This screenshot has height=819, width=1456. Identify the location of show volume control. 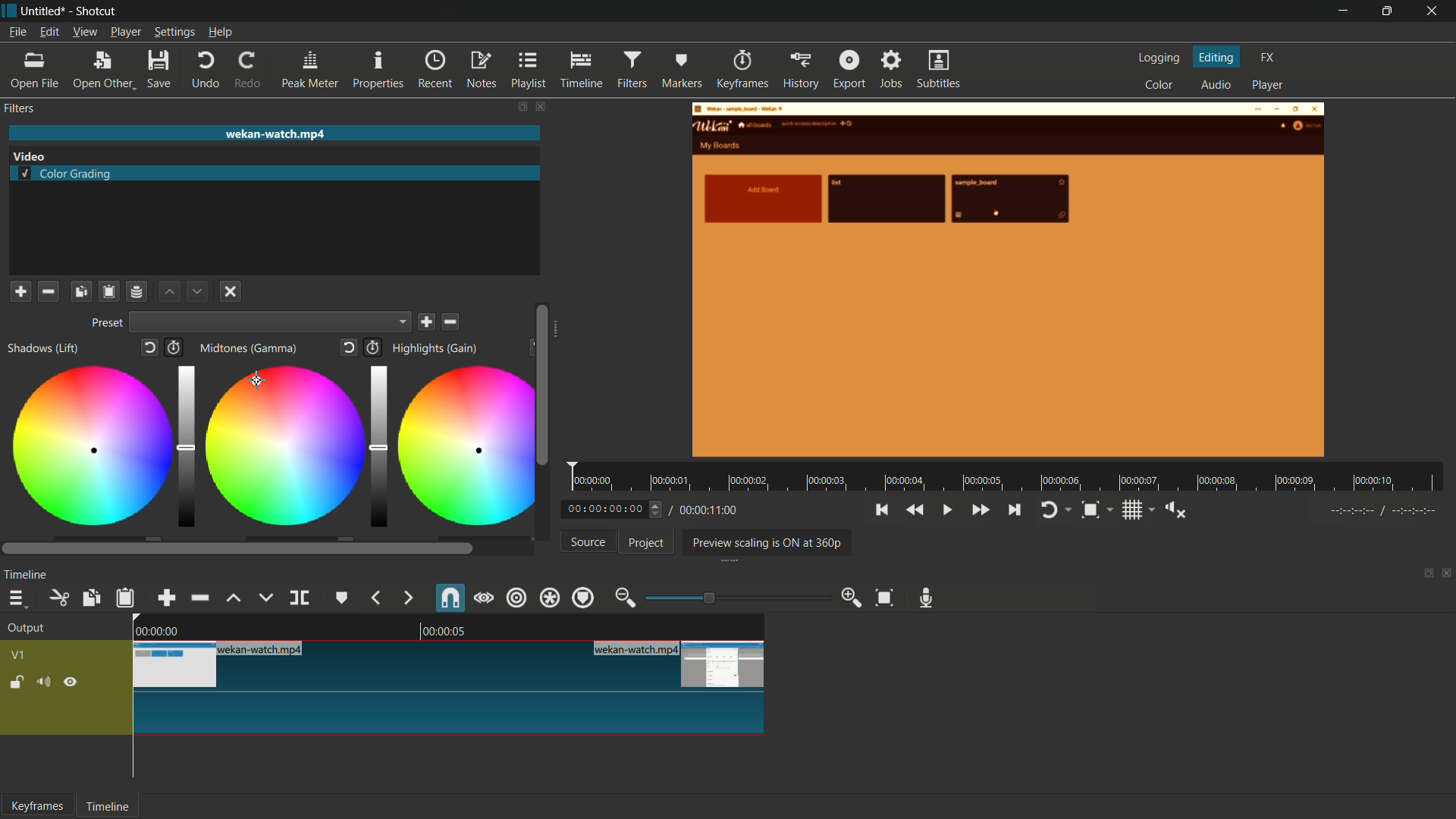
(1177, 510).